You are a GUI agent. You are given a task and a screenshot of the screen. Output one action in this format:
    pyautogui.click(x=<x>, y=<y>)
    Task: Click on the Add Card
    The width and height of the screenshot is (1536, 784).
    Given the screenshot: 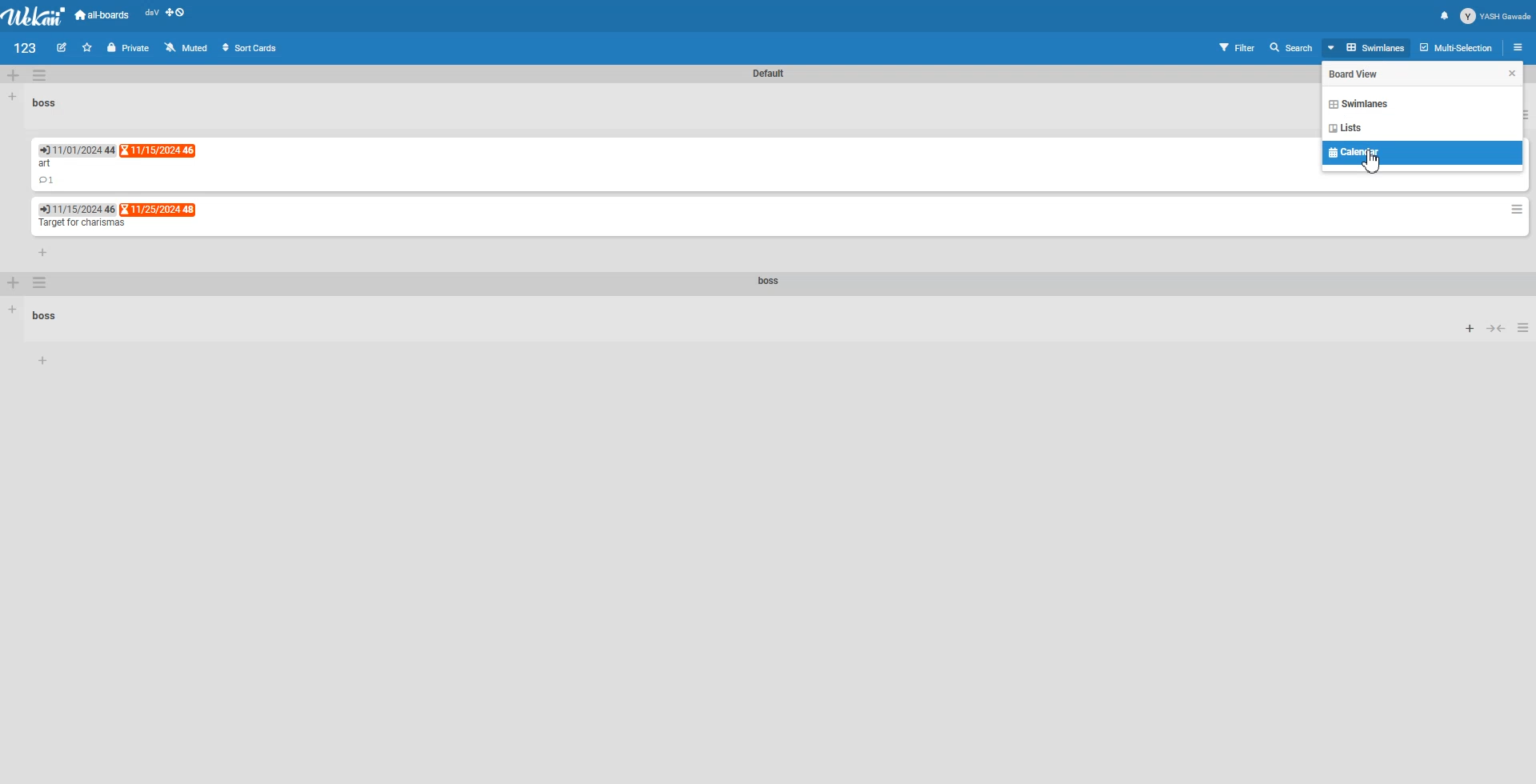 What is the action you would take?
    pyautogui.click(x=43, y=361)
    